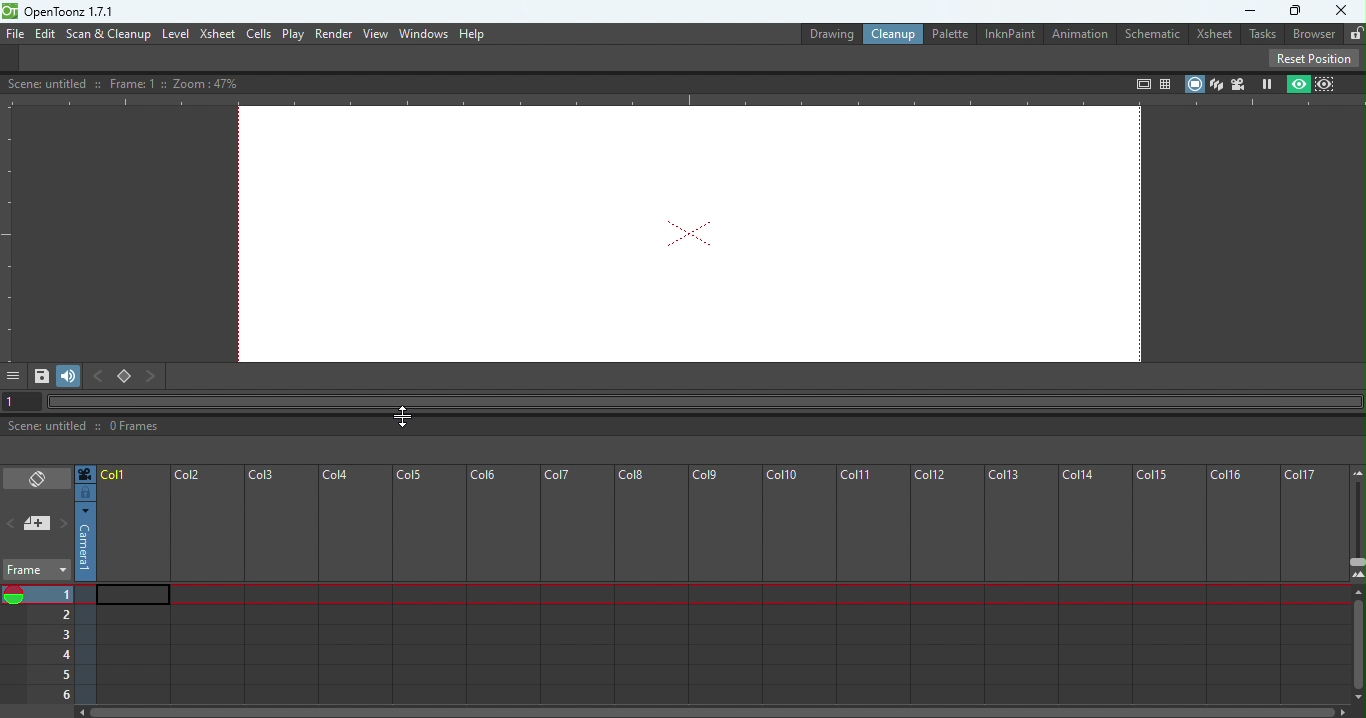 Image resolution: width=1366 pixels, height=718 pixels. What do you see at coordinates (86, 473) in the screenshot?
I see `Click to select camera` at bounding box center [86, 473].